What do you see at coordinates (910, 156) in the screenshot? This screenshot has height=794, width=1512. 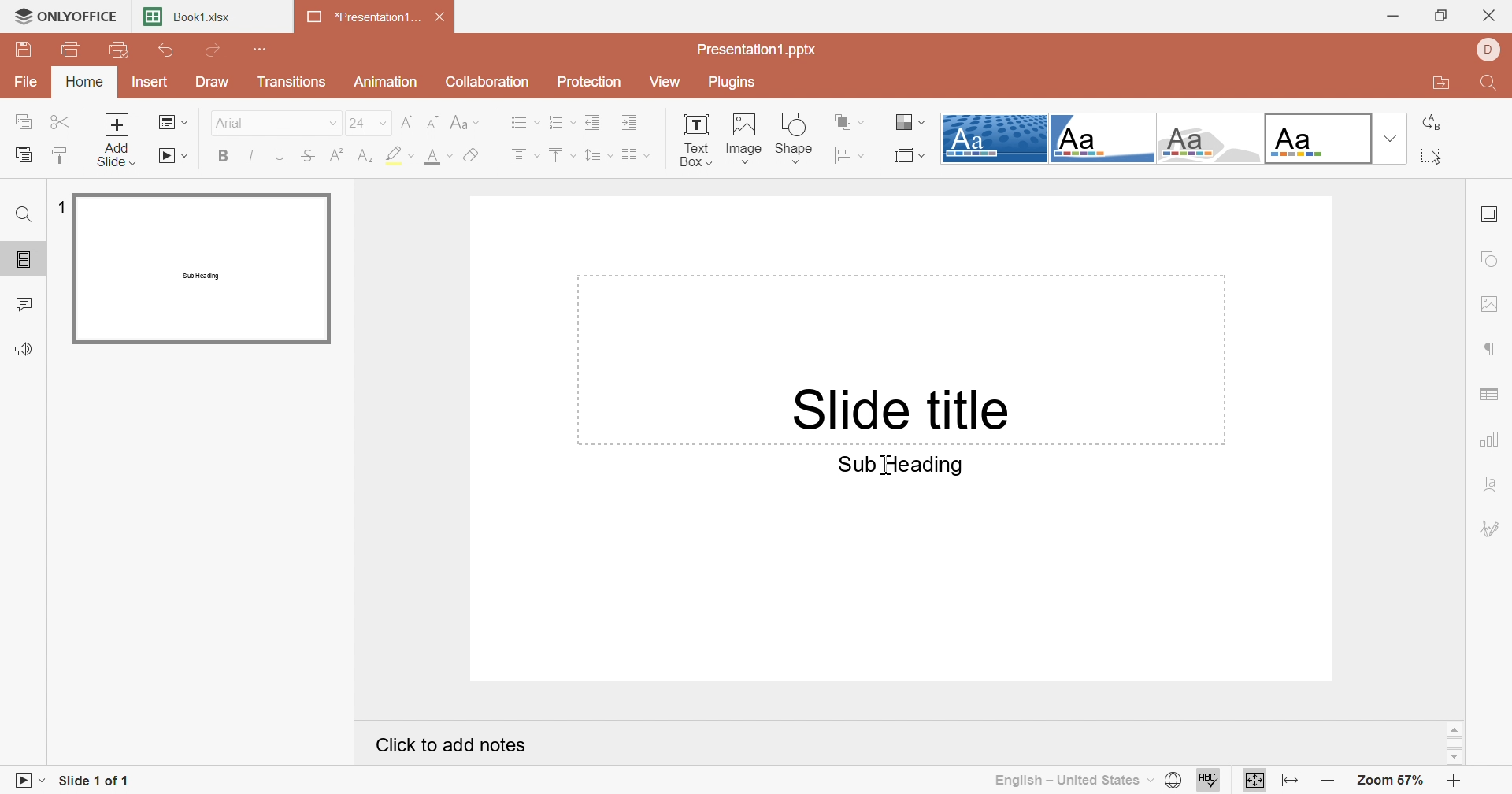 I see `Select slide size` at bounding box center [910, 156].